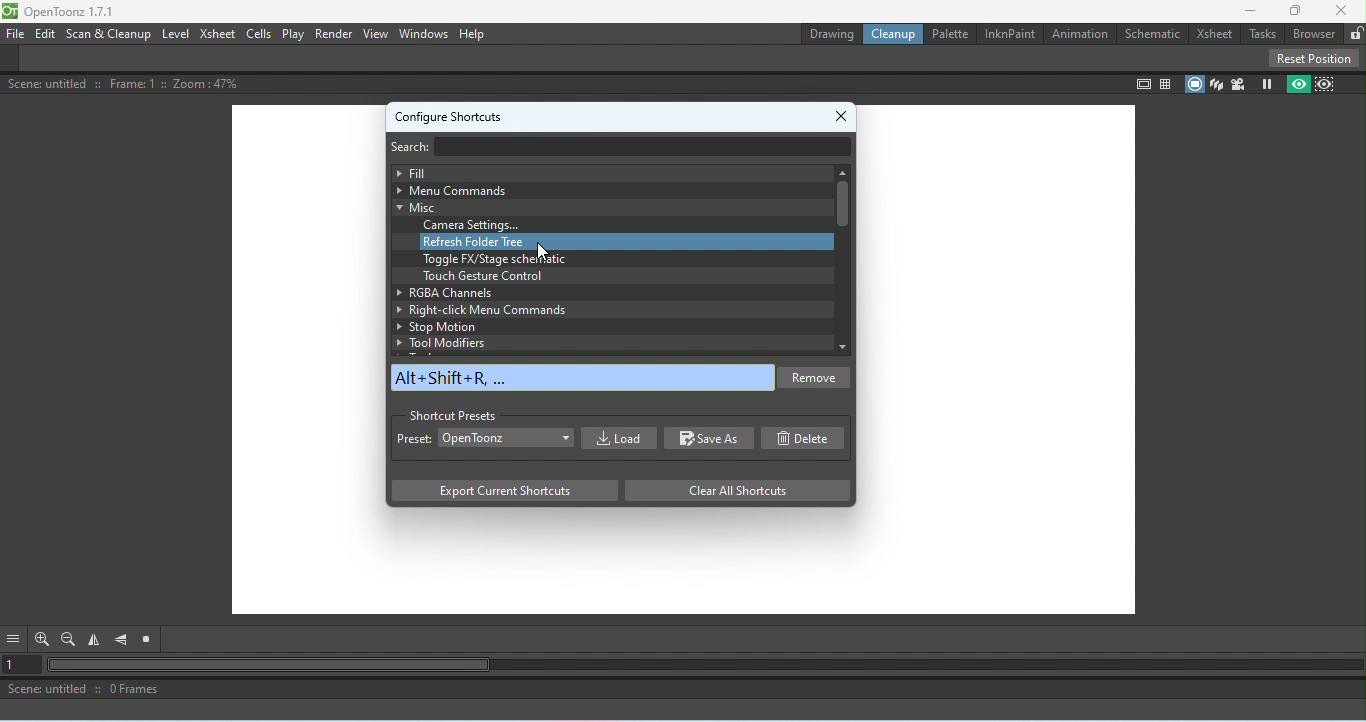  I want to click on Safe area, so click(1141, 85).